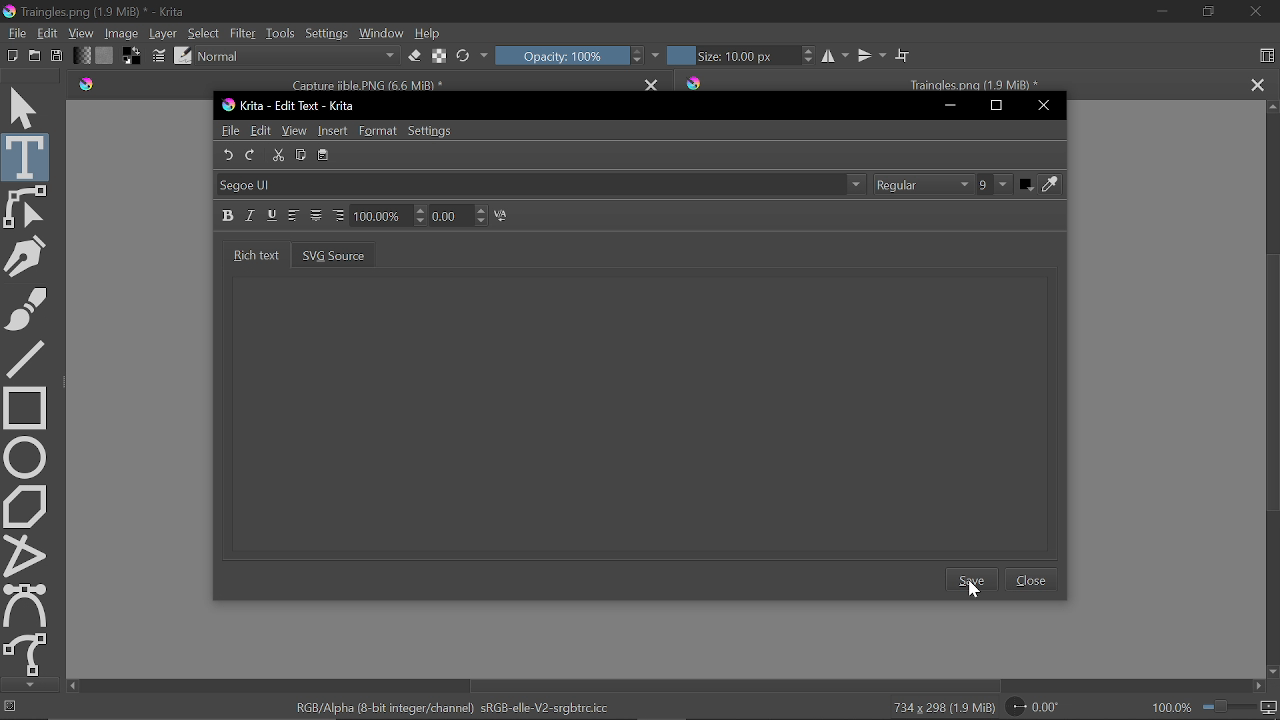 The height and width of the screenshot is (720, 1280). What do you see at coordinates (1270, 384) in the screenshot?
I see `Vertical scrollbar` at bounding box center [1270, 384].